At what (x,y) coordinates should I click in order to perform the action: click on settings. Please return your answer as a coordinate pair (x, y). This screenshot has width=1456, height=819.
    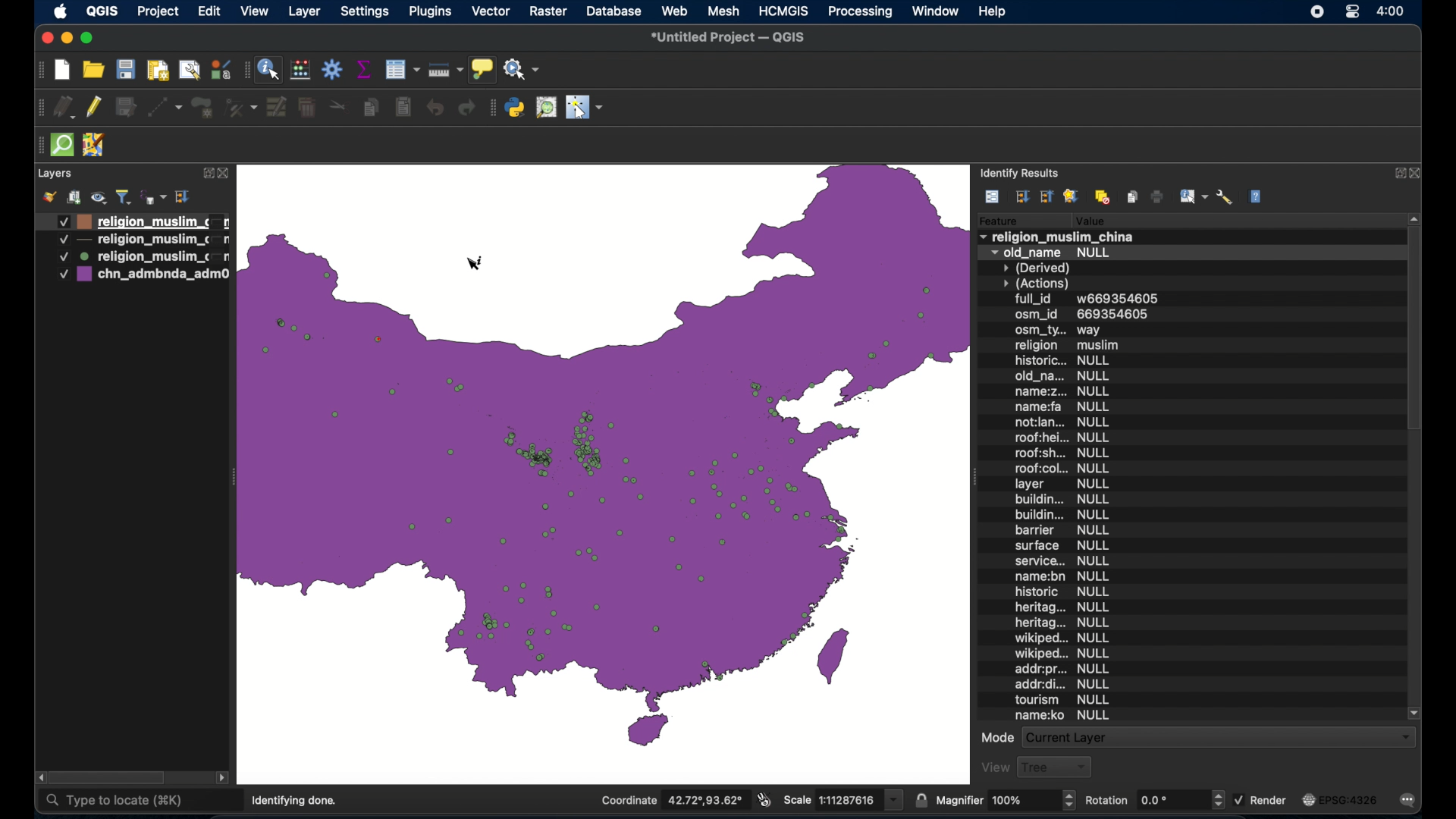
    Looking at the image, I should click on (365, 12).